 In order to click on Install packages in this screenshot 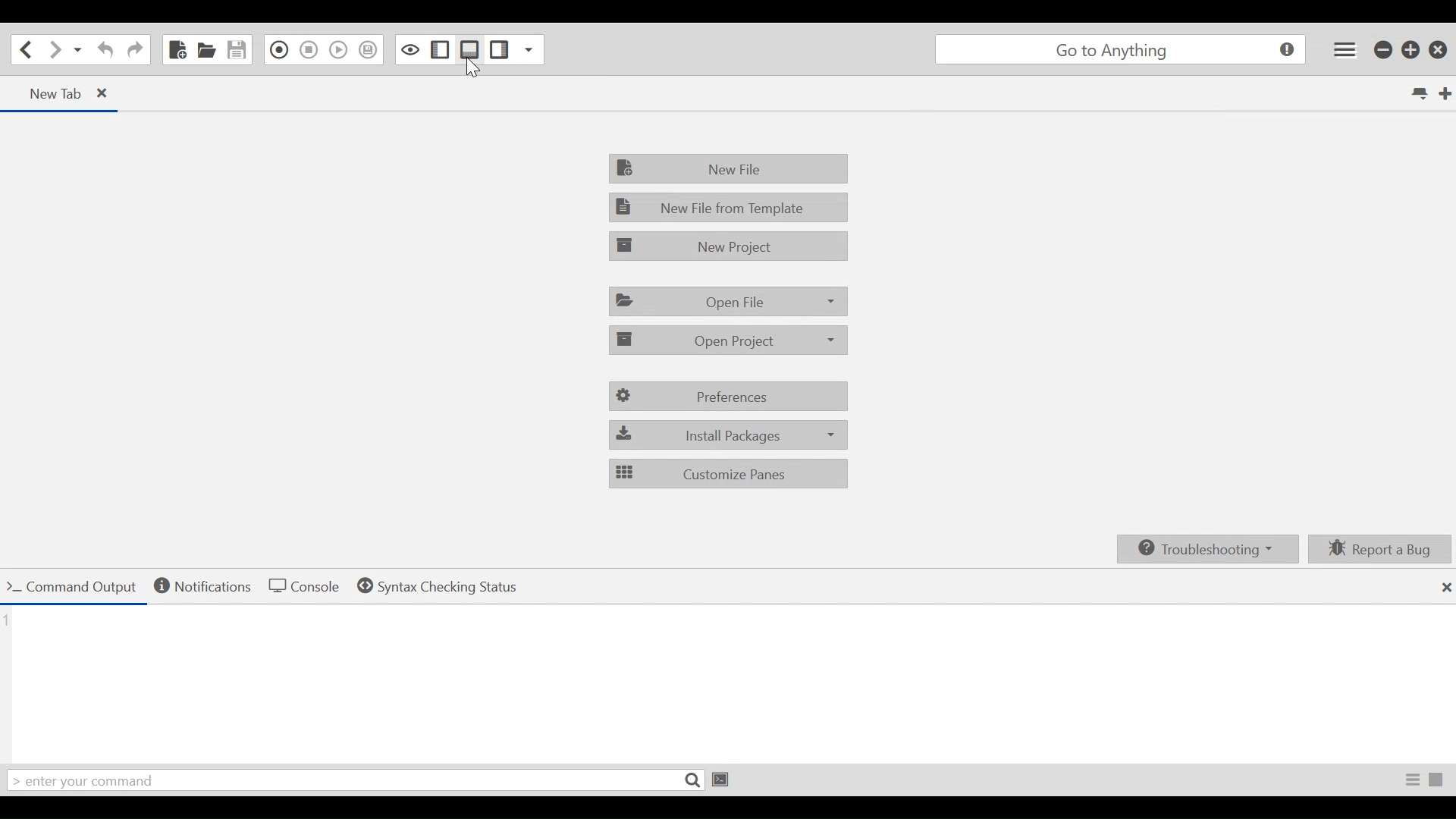, I will do `click(729, 434)`.